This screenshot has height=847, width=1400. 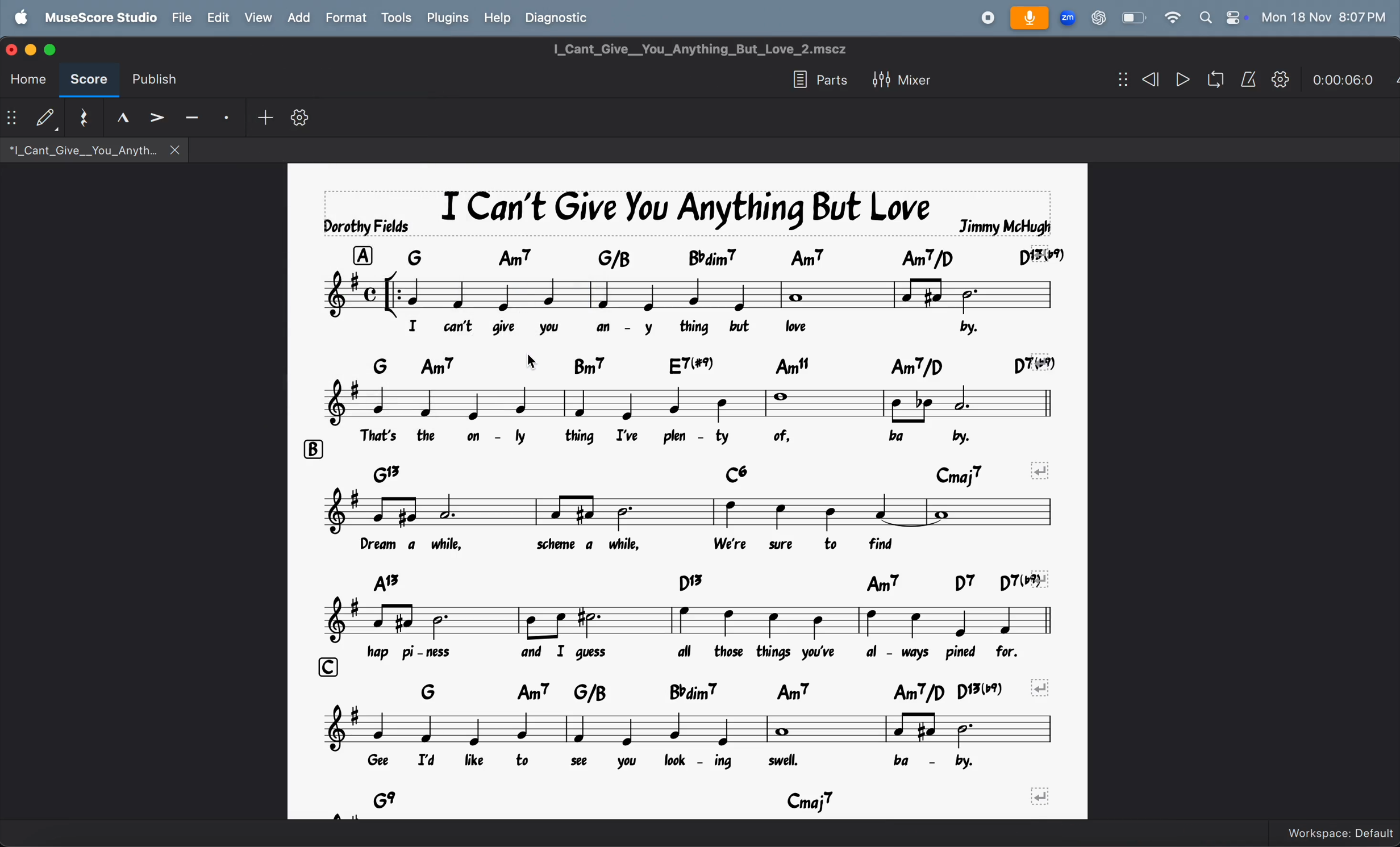 What do you see at coordinates (50, 51) in the screenshot?
I see `score` at bounding box center [50, 51].